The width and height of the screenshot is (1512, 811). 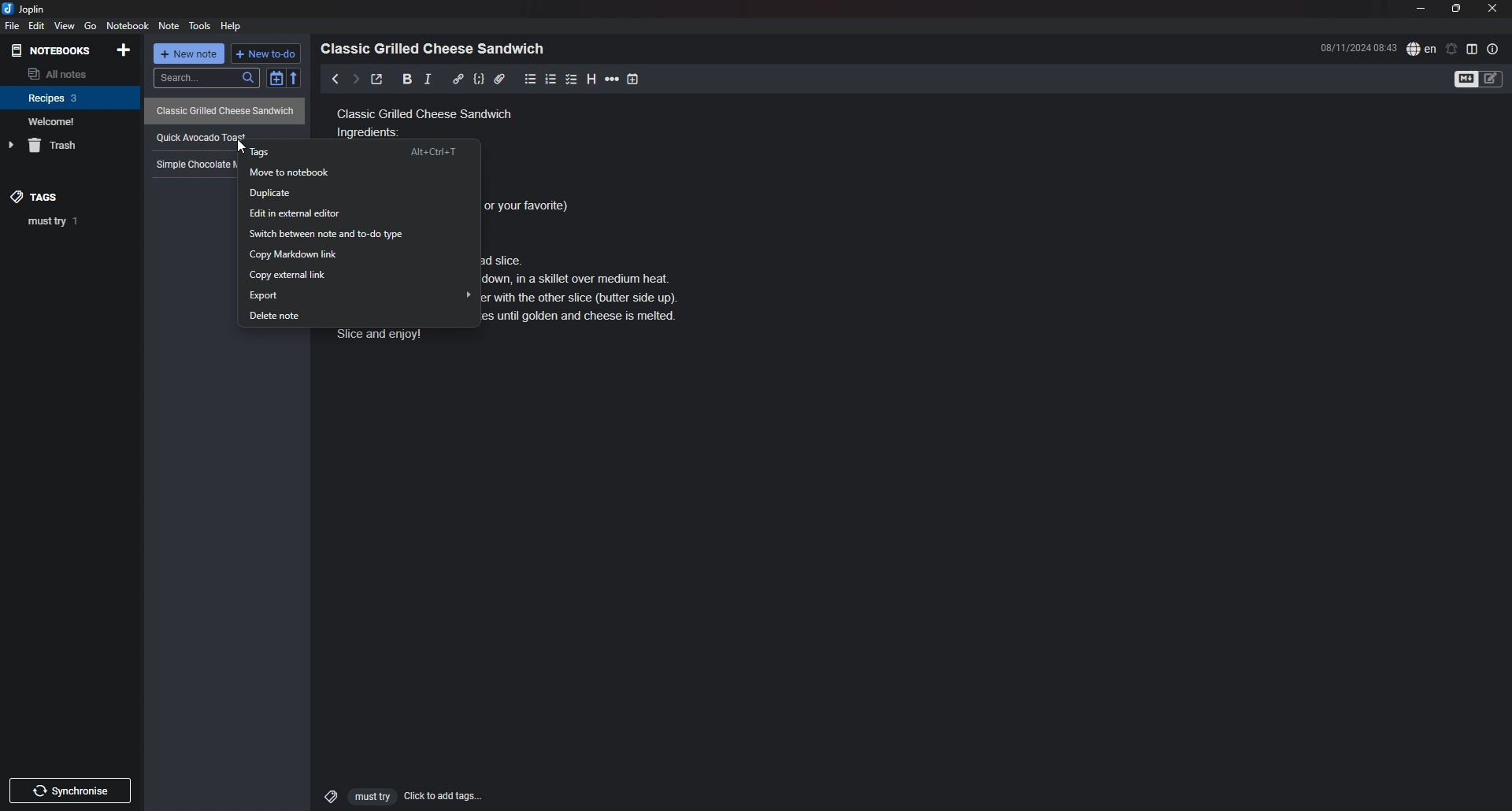 I want to click on recipe, so click(x=195, y=136).